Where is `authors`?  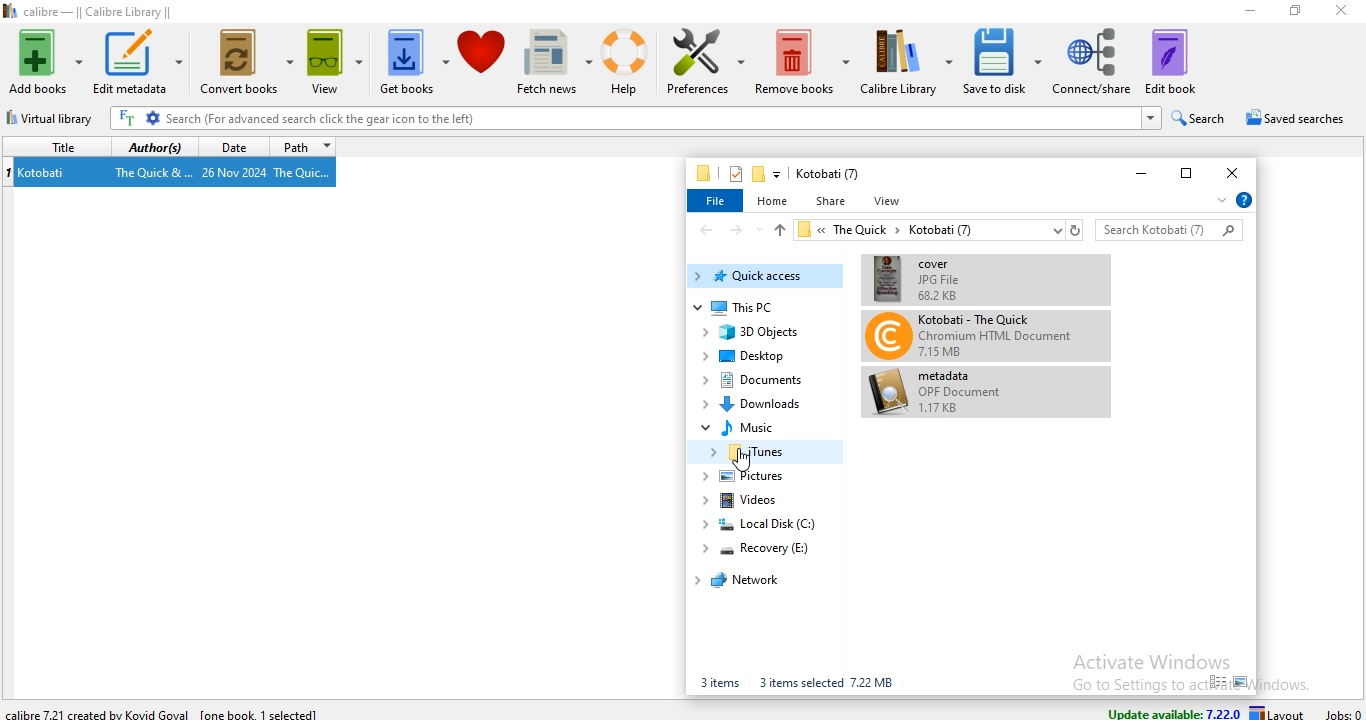 authors is located at coordinates (154, 147).